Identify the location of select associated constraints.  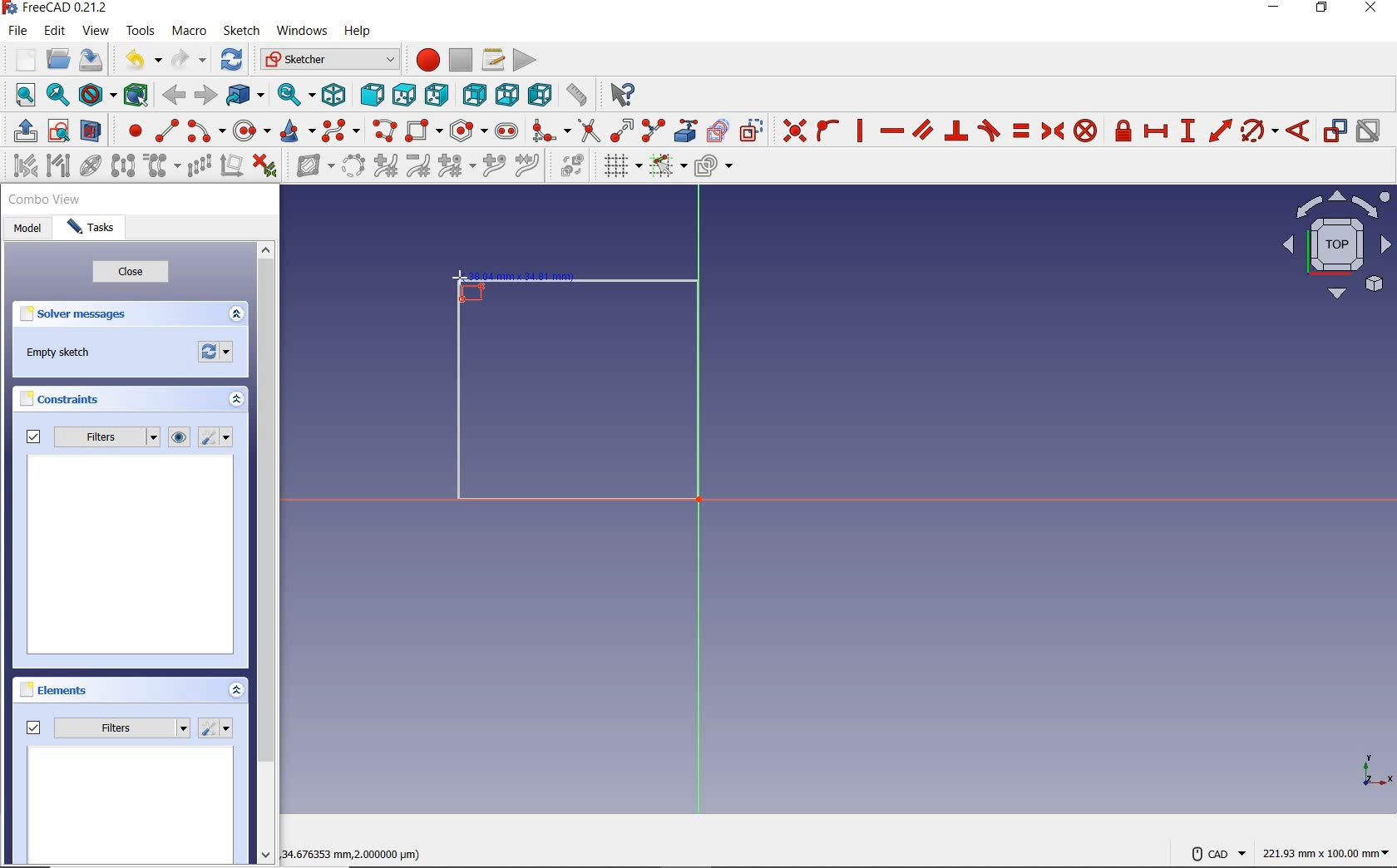
(21, 167).